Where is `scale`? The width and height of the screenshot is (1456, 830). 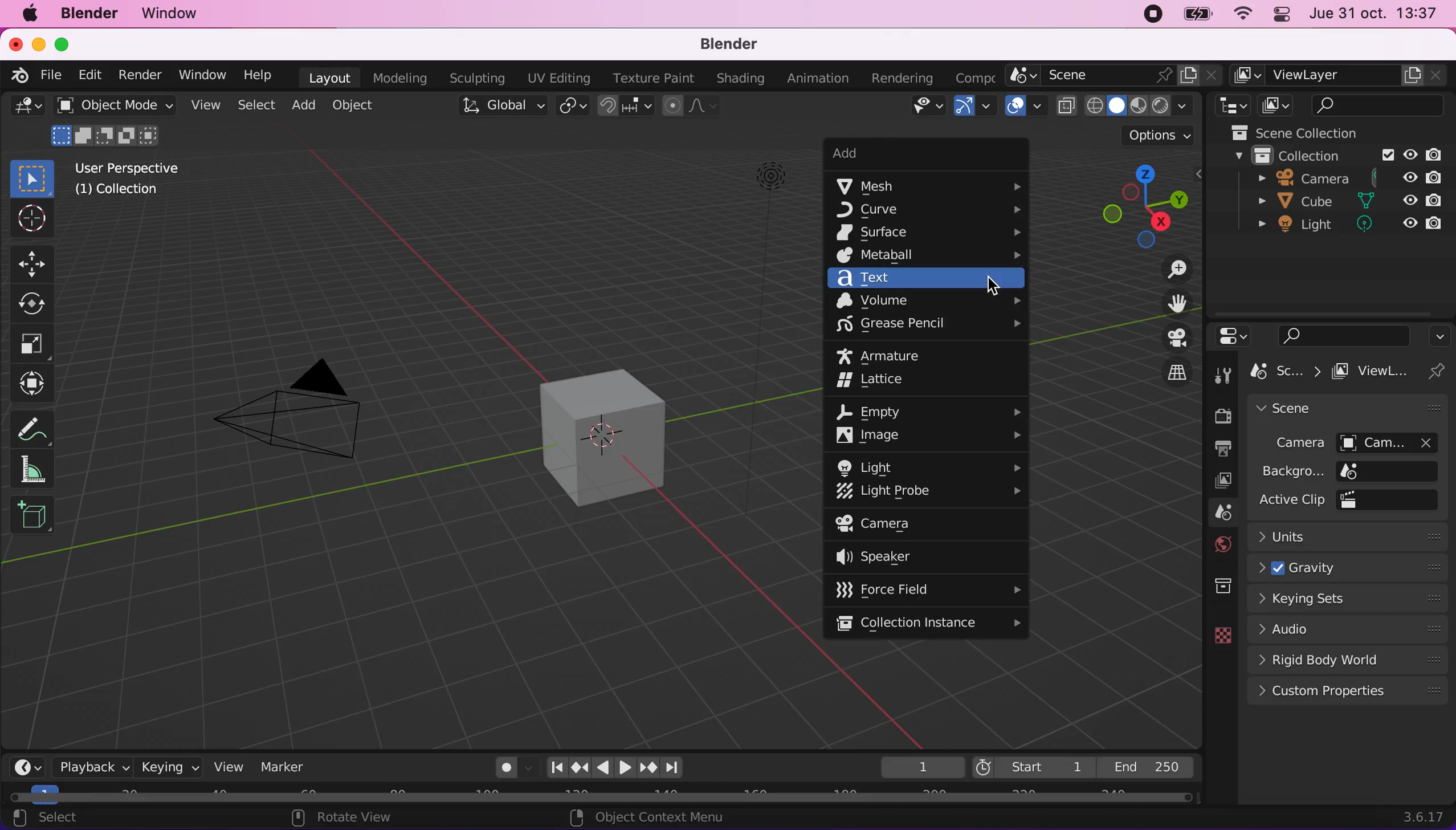
scale is located at coordinates (32, 344).